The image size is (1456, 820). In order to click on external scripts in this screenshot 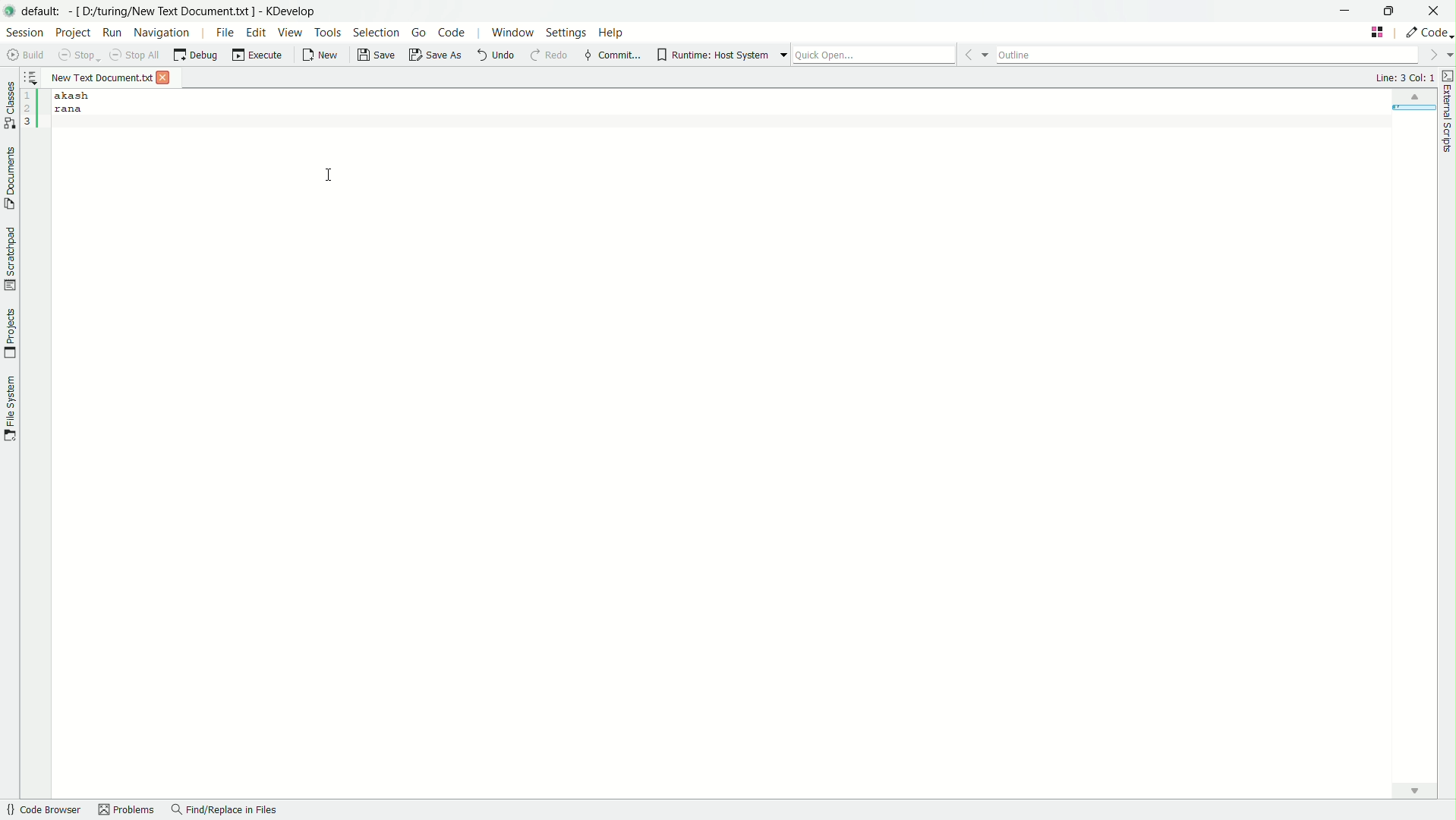, I will do `click(1447, 121)`.